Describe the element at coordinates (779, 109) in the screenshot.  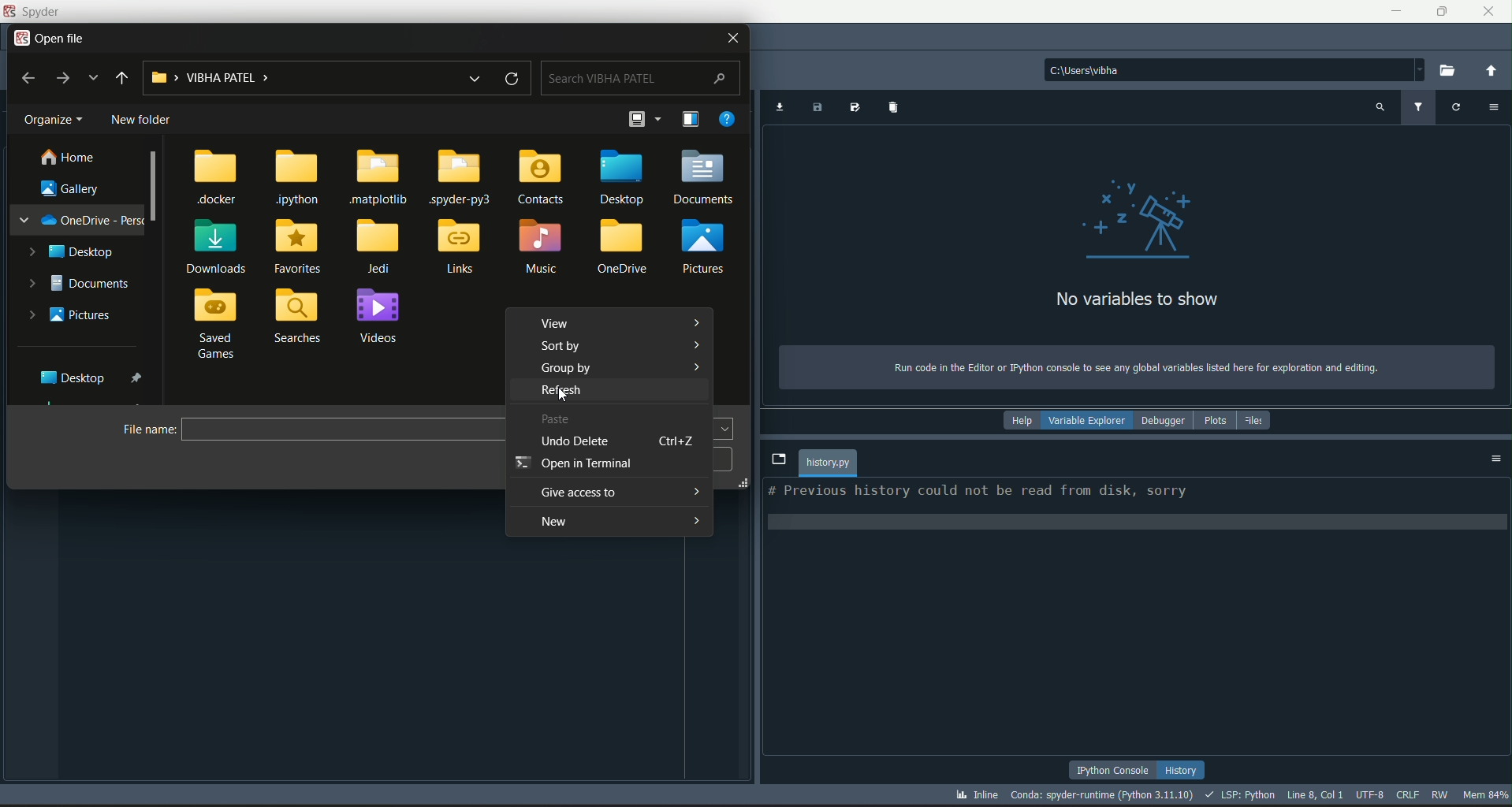
I see `import data` at that location.